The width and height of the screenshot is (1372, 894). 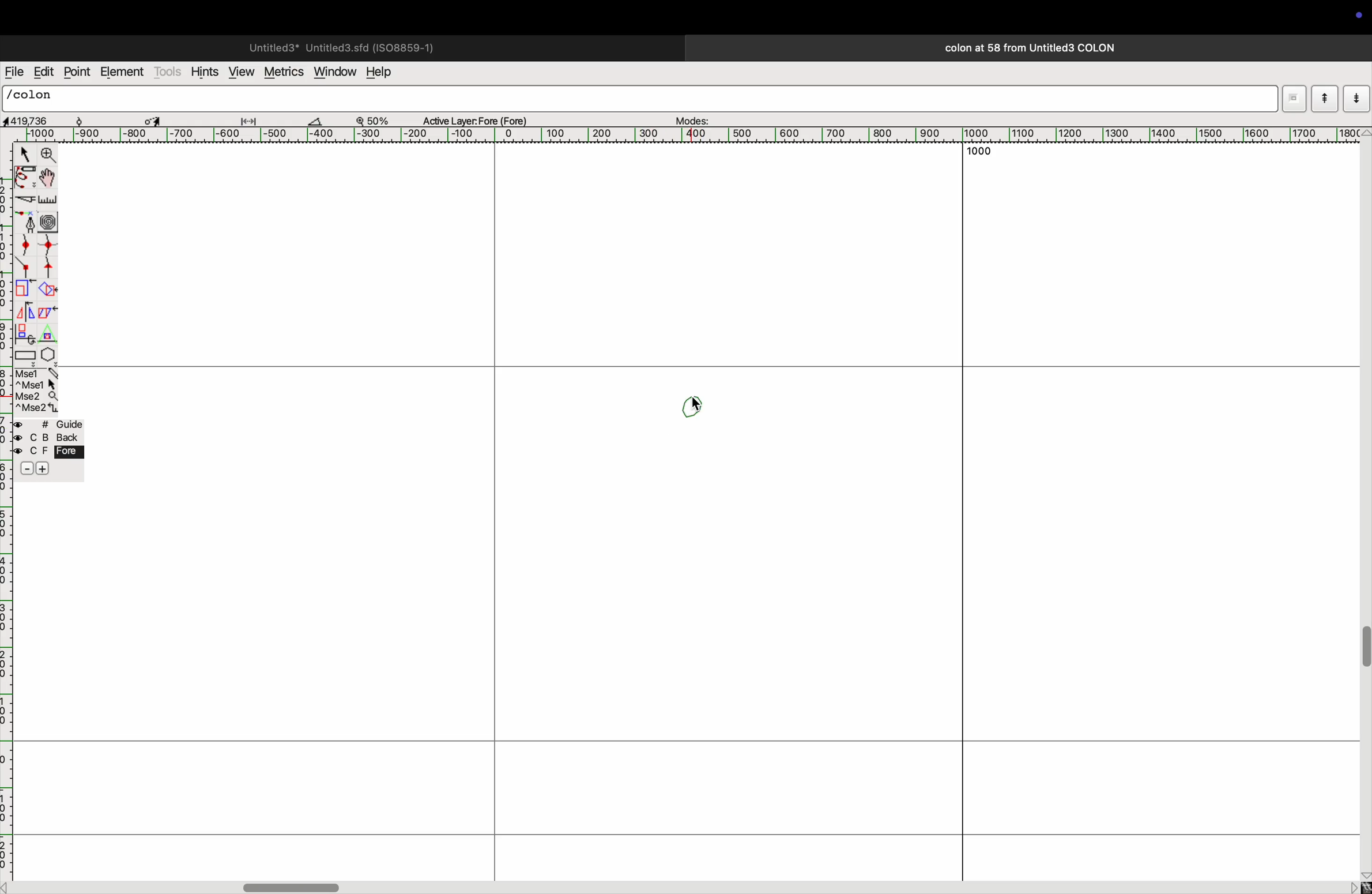 I want to click on untitled page, so click(x=340, y=46).